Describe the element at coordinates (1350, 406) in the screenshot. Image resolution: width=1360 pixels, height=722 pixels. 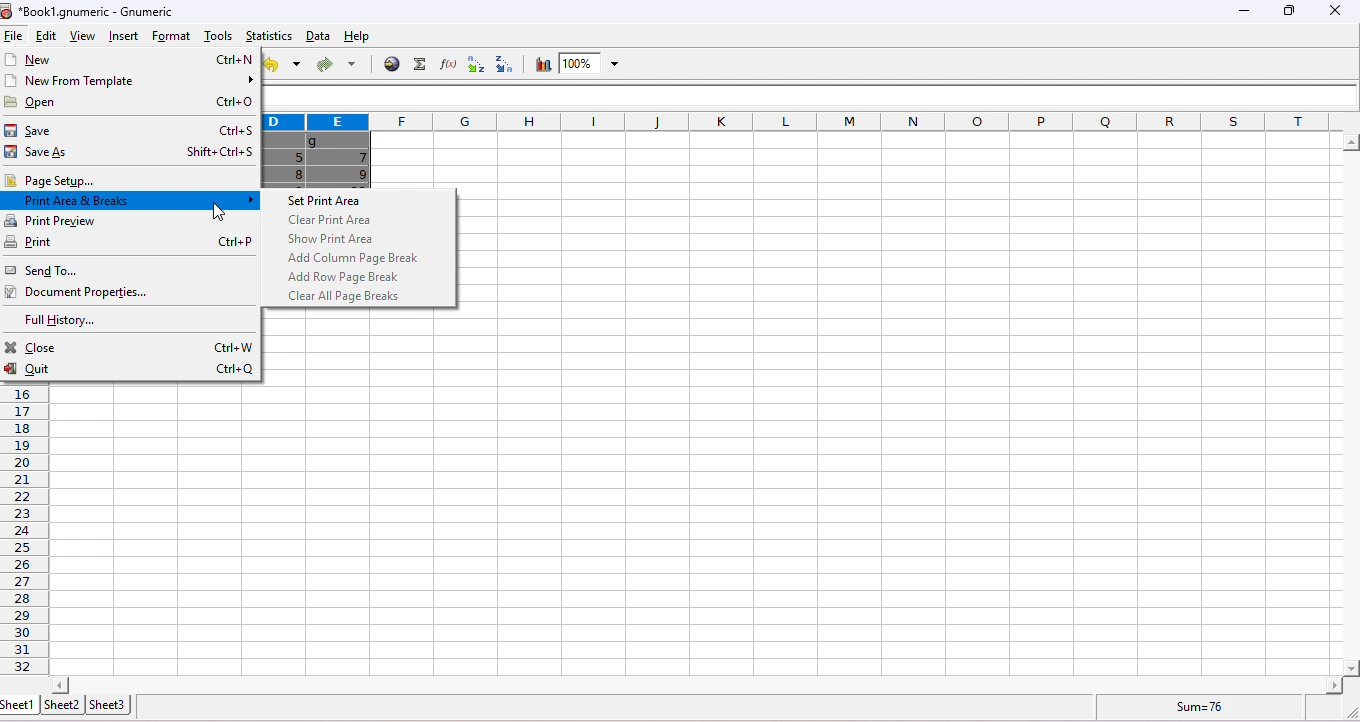
I see `horizontal scrollbar` at that location.